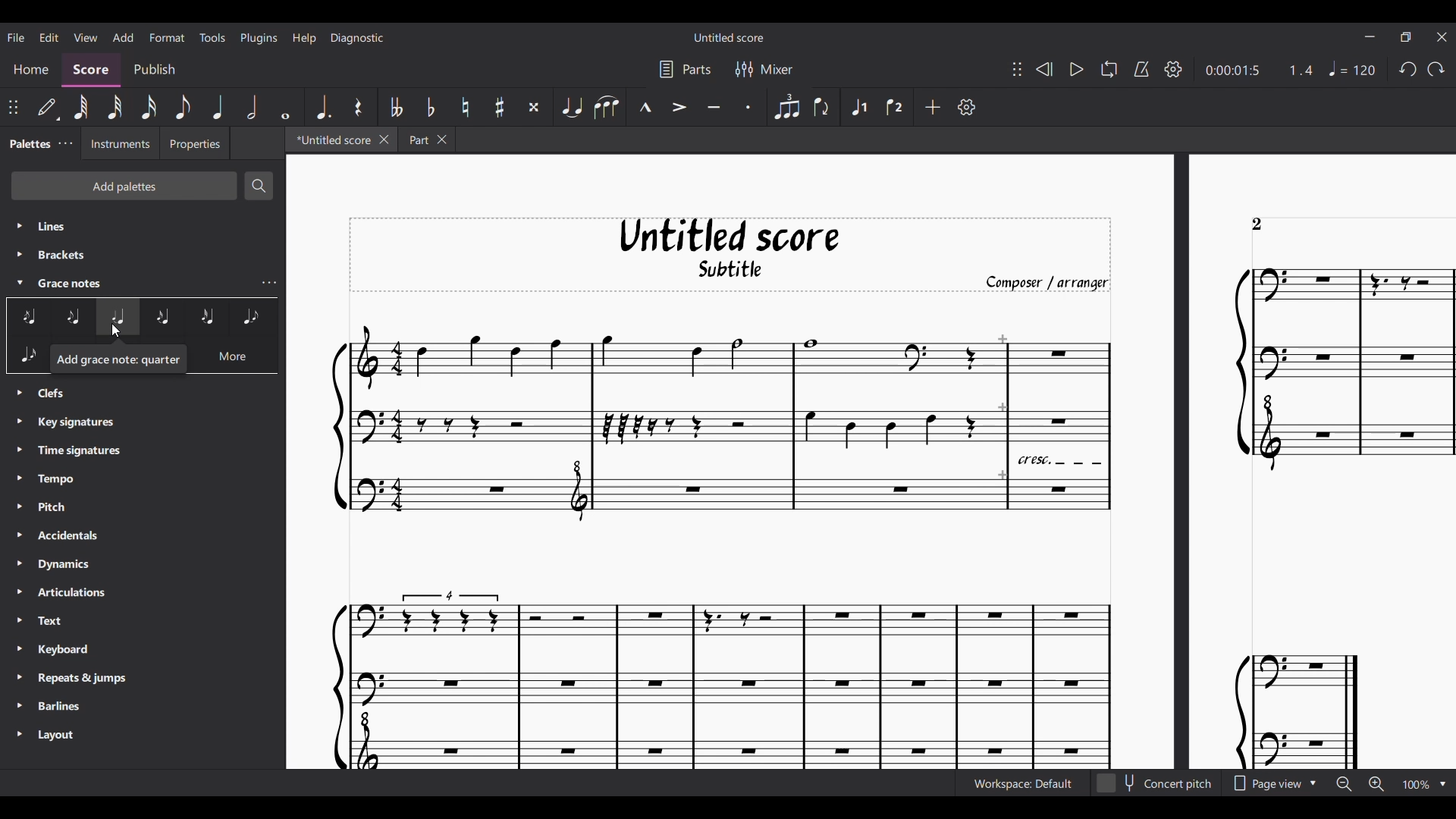 The image size is (1456, 819). What do you see at coordinates (183, 108) in the screenshot?
I see `8th note` at bounding box center [183, 108].